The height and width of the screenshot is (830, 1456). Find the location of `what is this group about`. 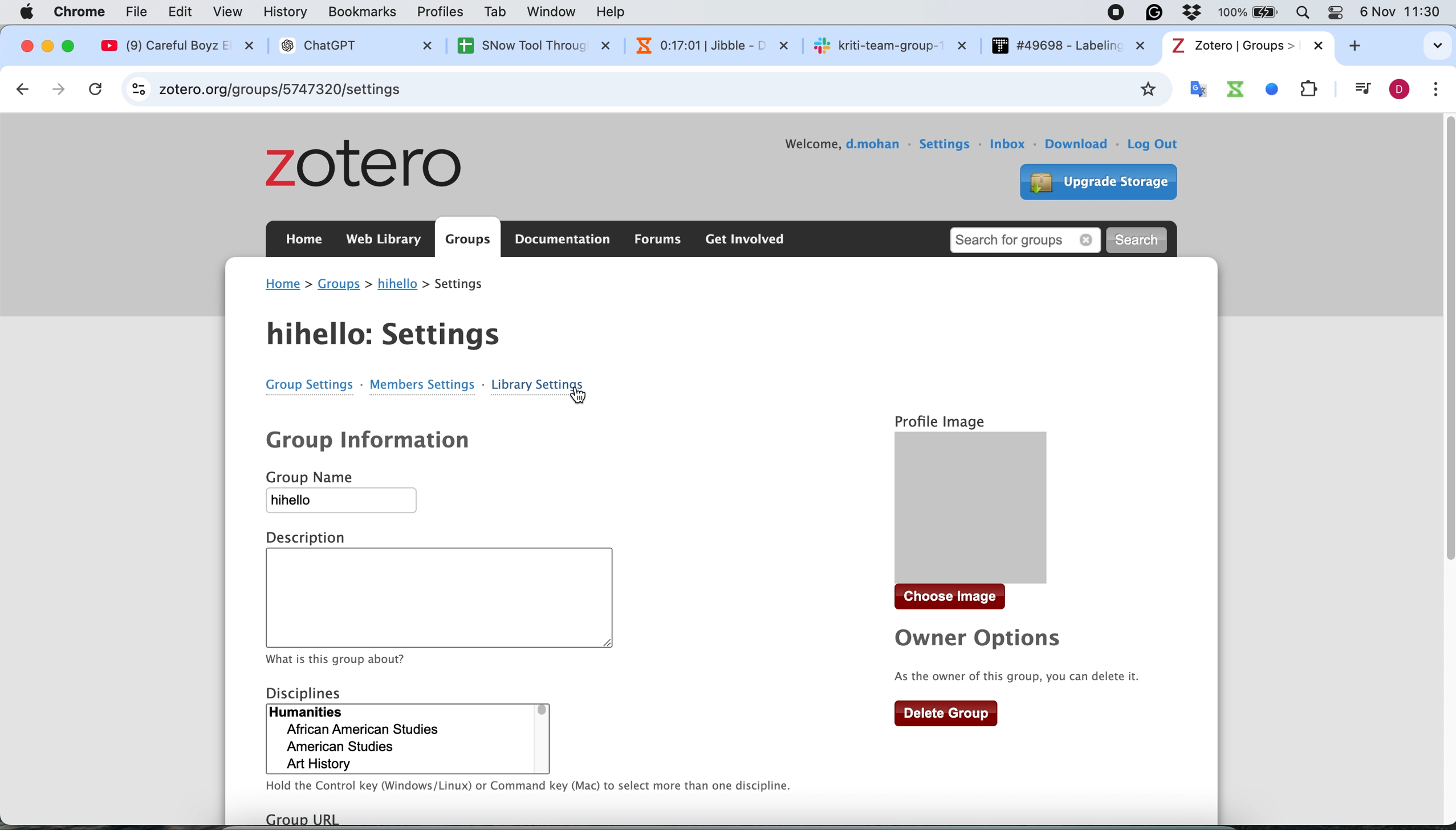

what is this group about is located at coordinates (343, 658).